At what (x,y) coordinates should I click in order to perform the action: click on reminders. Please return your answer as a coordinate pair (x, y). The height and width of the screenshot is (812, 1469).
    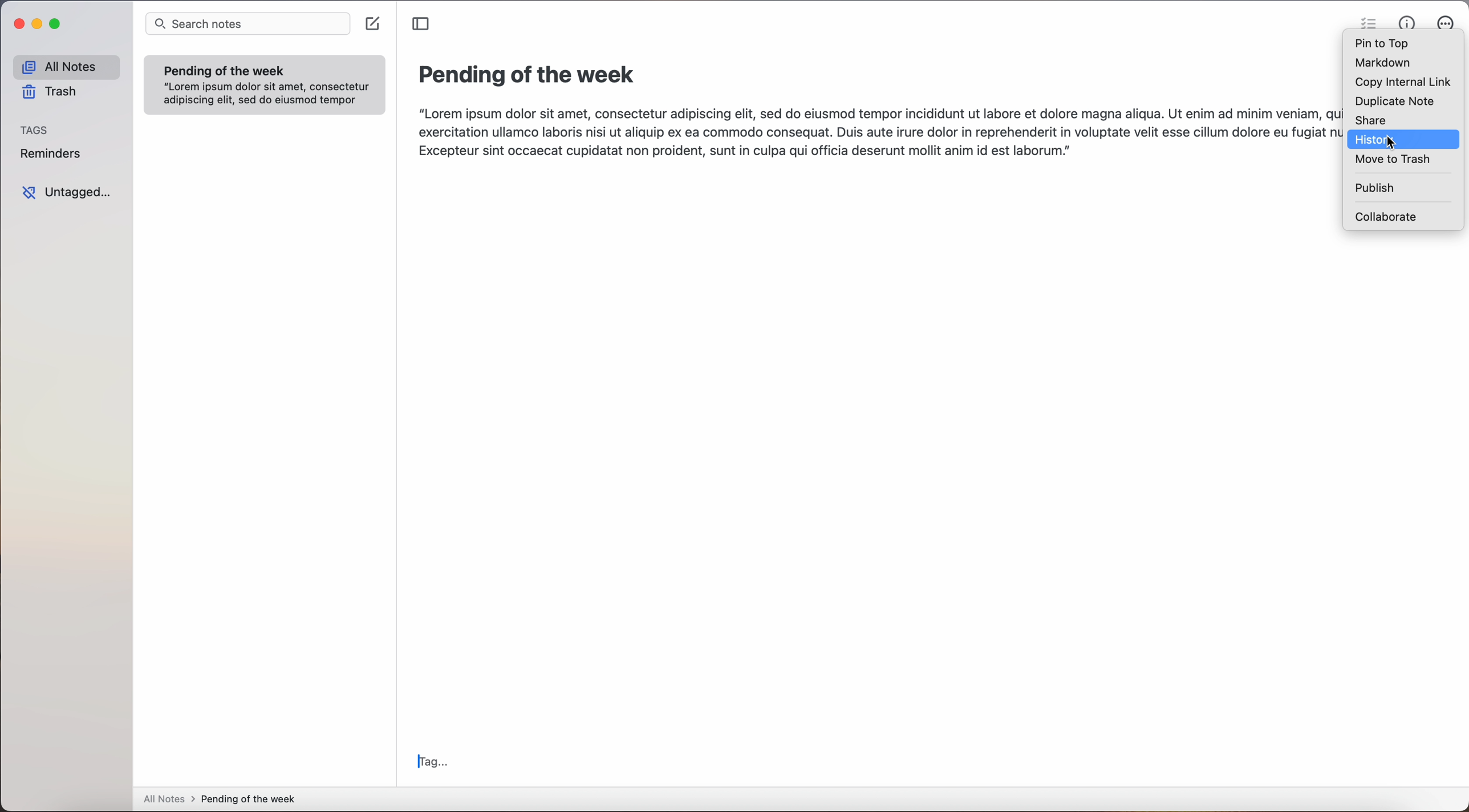
    Looking at the image, I should click on (53, 155).